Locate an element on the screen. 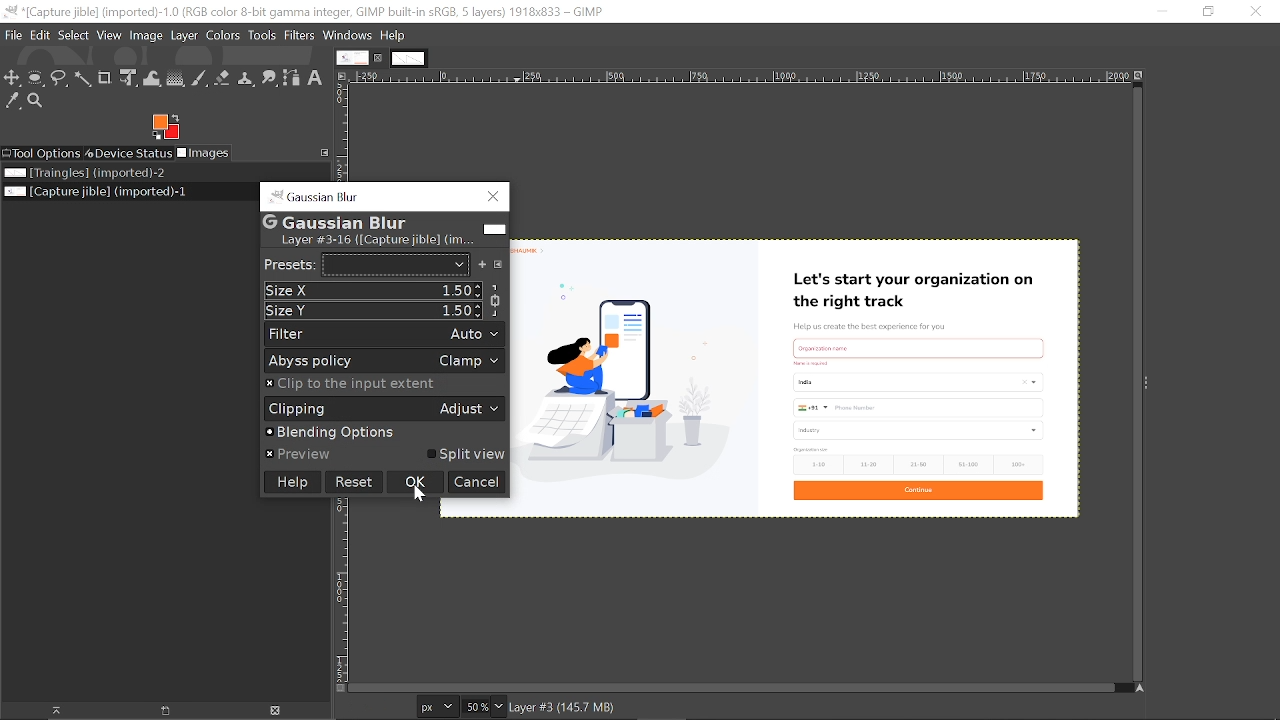  Windows is located at coordinates (349, 35).